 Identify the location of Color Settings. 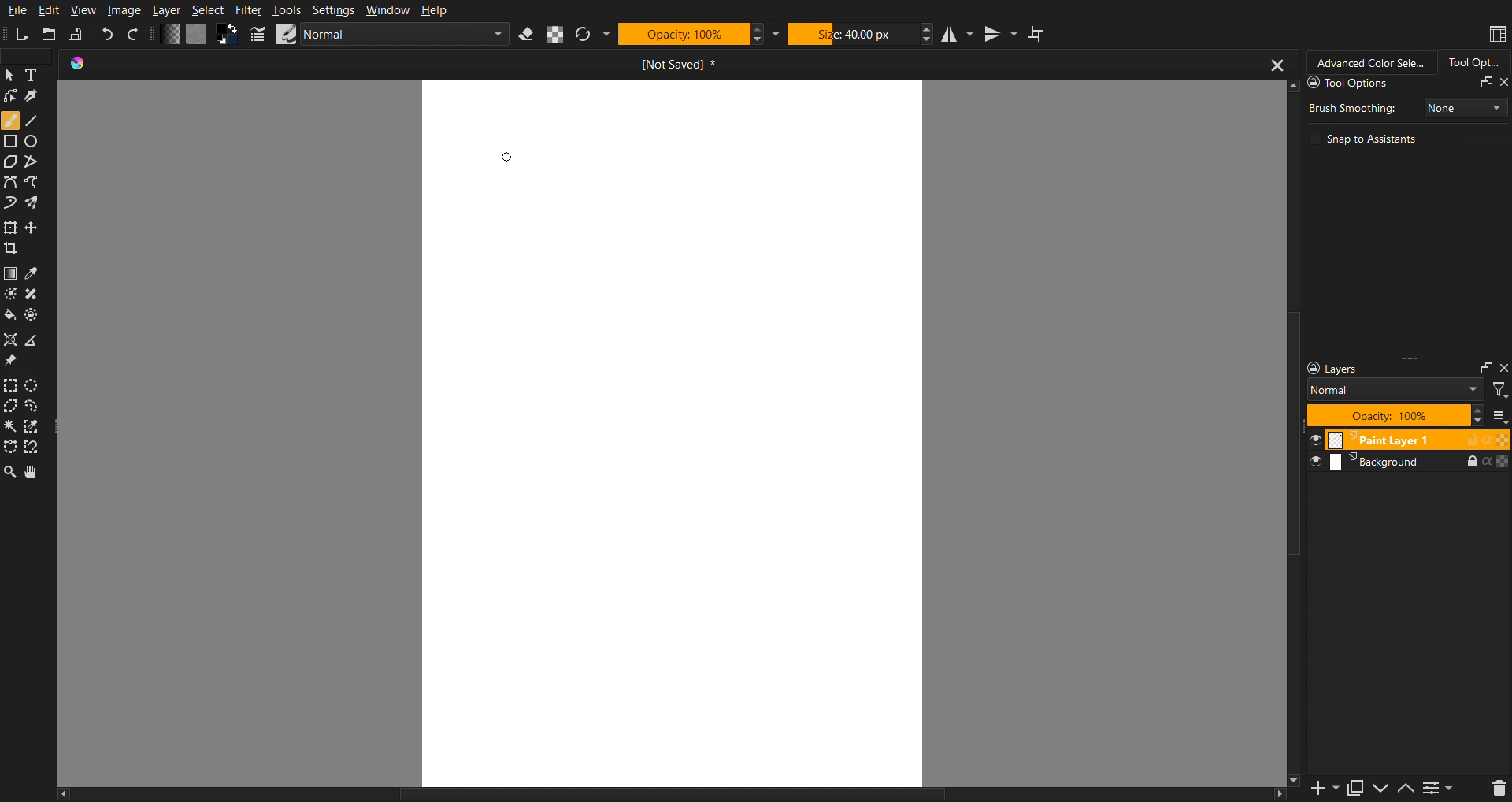
(199, 35).